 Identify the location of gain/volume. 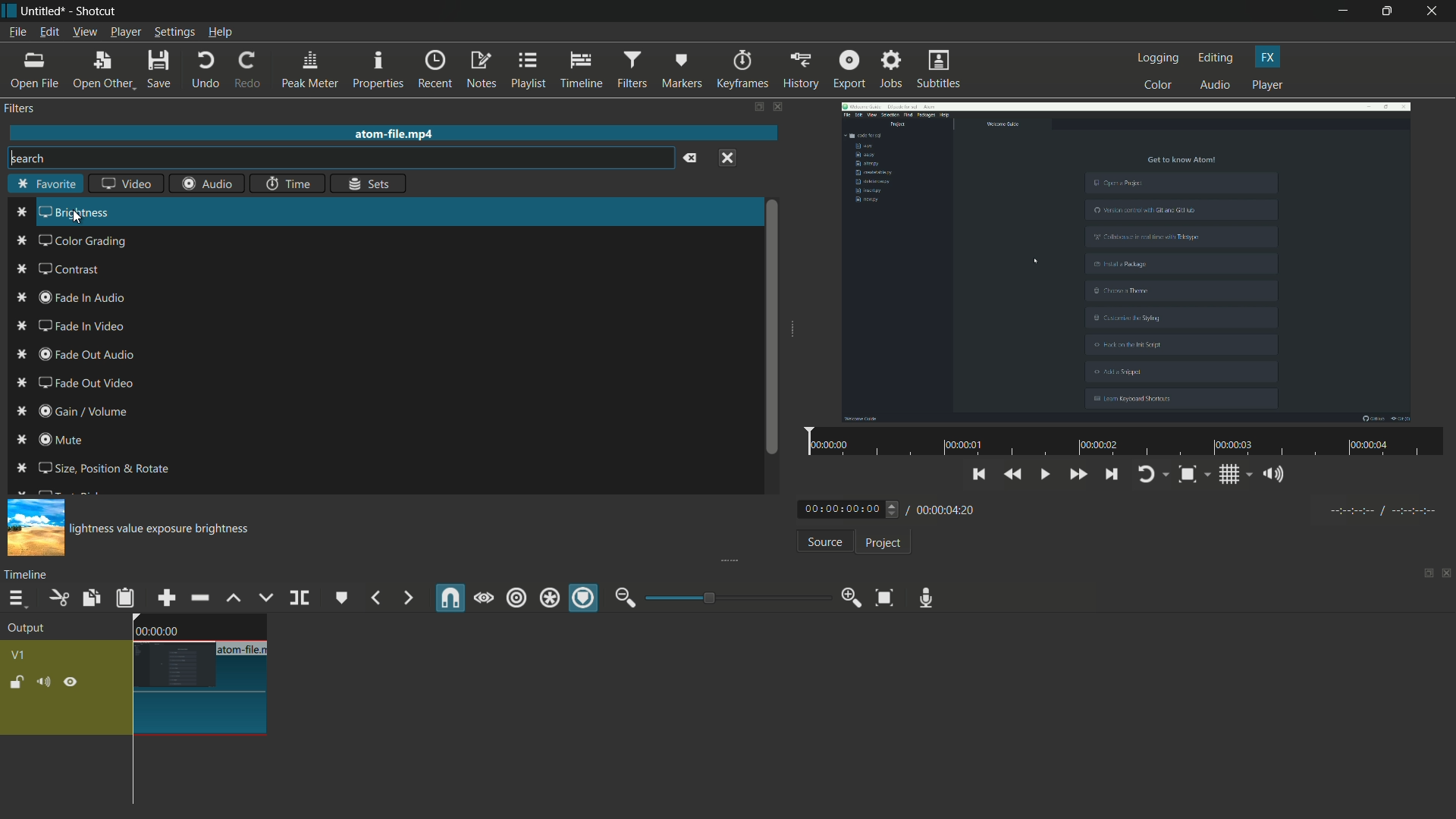
(80, 413).